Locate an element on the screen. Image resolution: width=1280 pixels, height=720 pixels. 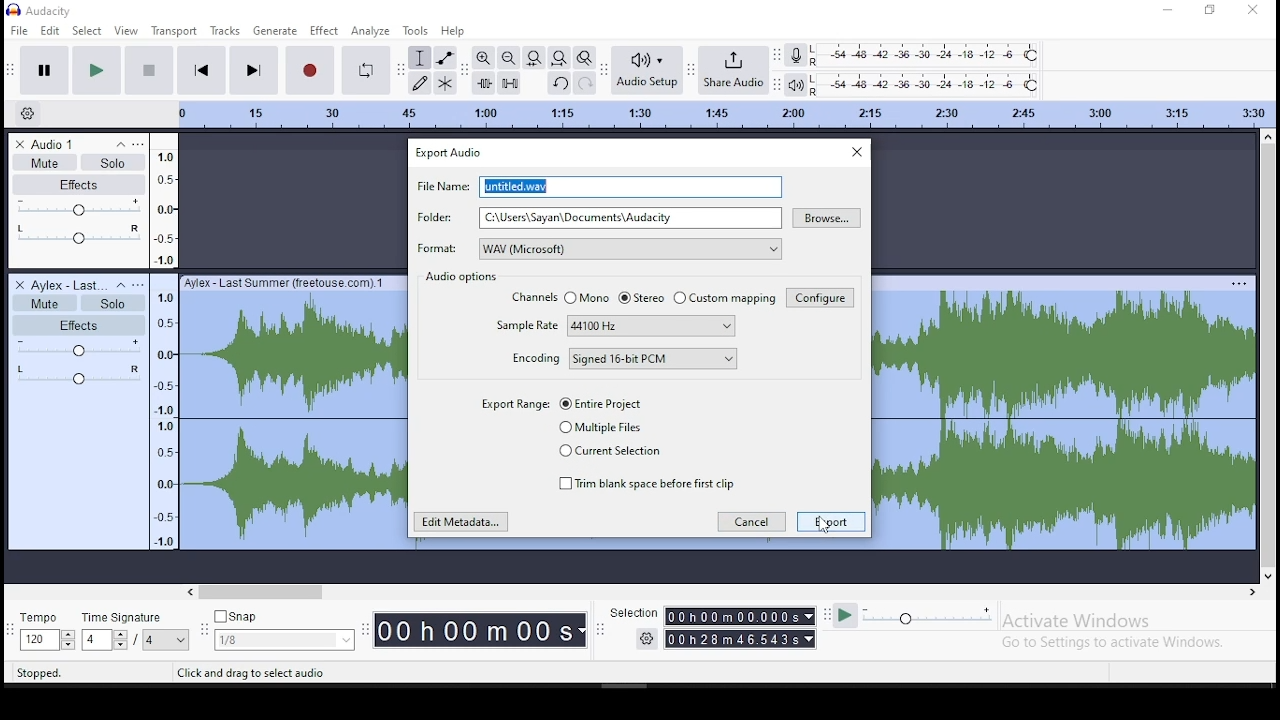
stop is located at coordinates (146, 71).